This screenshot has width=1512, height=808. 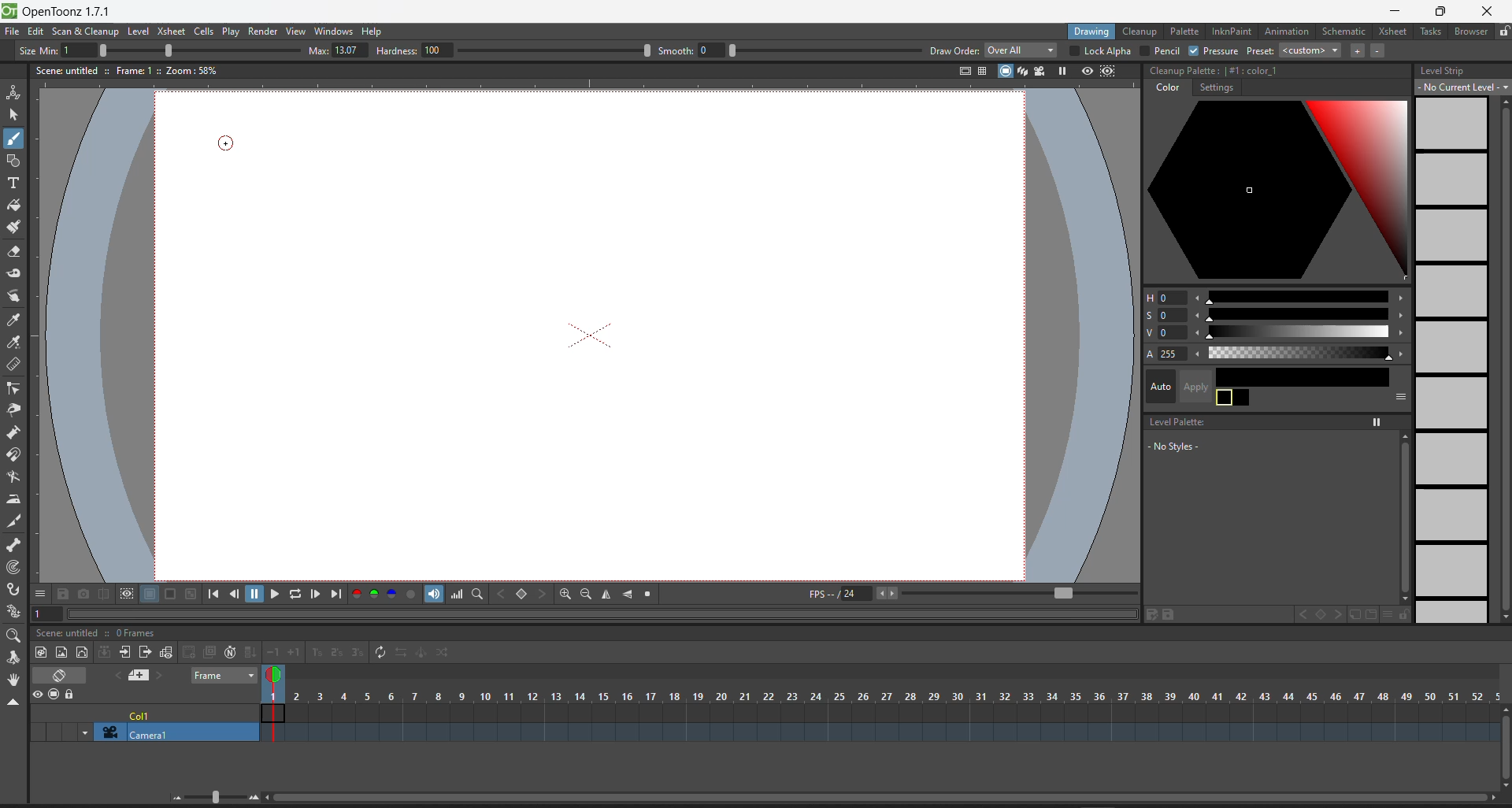 What do you see at coordinates (16, 656) in the screenshot?
I see `rotate tool` at bounding box center [16, 656].